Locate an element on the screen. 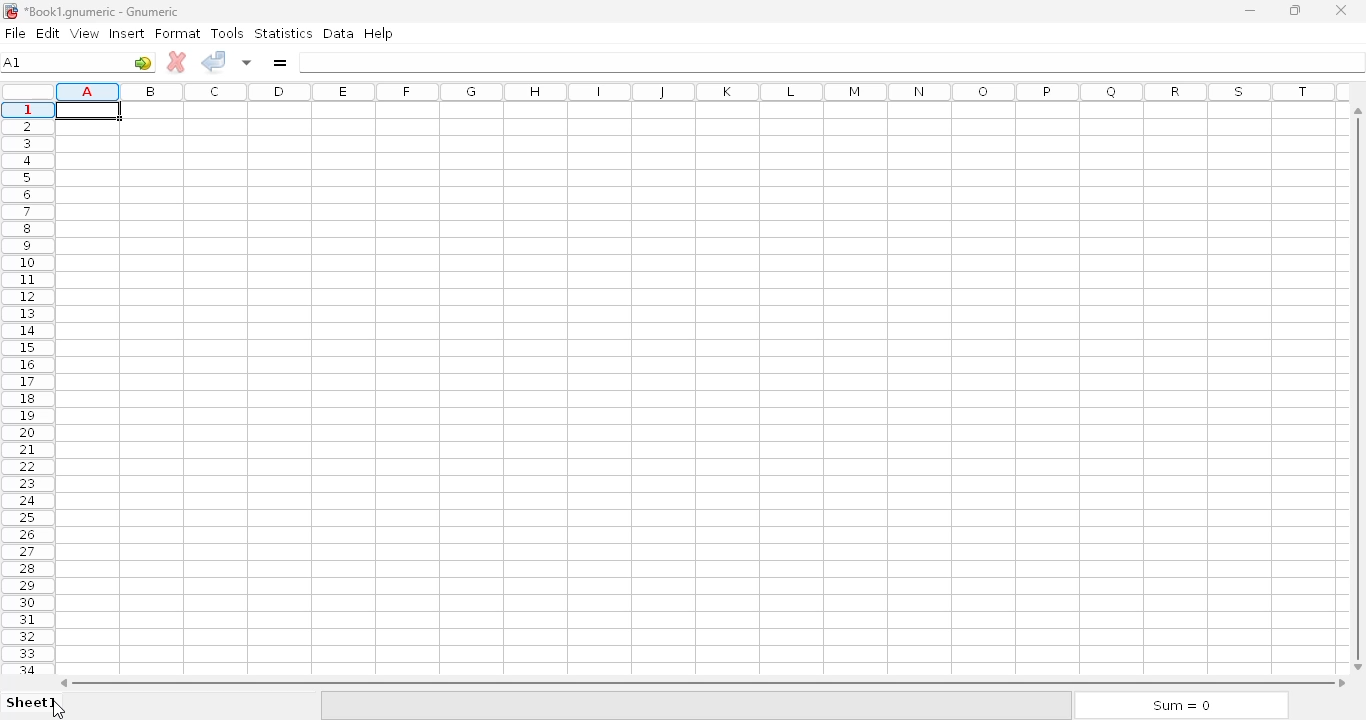 The height and width of the screenshot is (720, 1366). edit is located at coordinates (50, 33).